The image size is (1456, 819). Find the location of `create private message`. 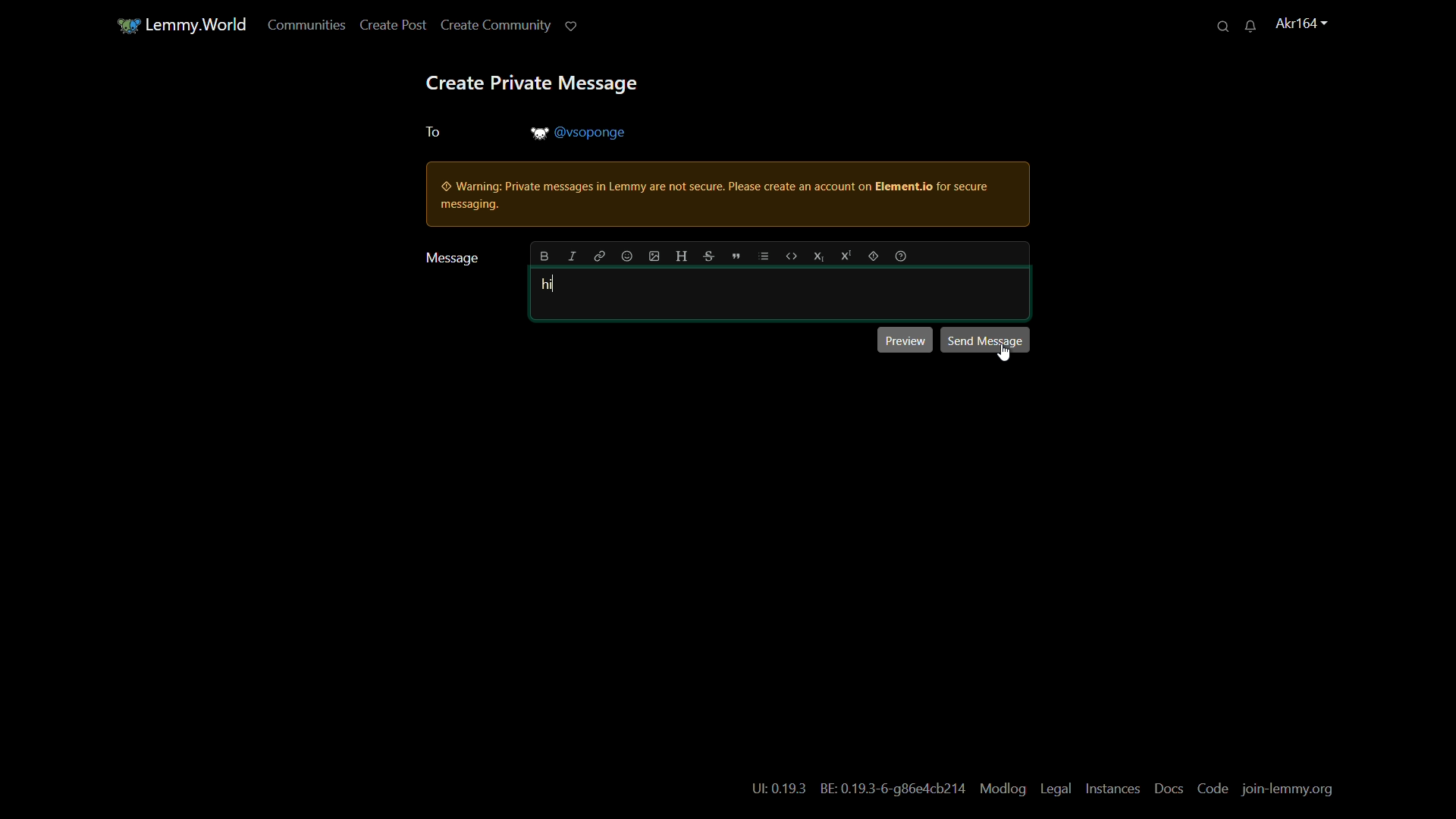

create private message is located at coordinates (532, 86).